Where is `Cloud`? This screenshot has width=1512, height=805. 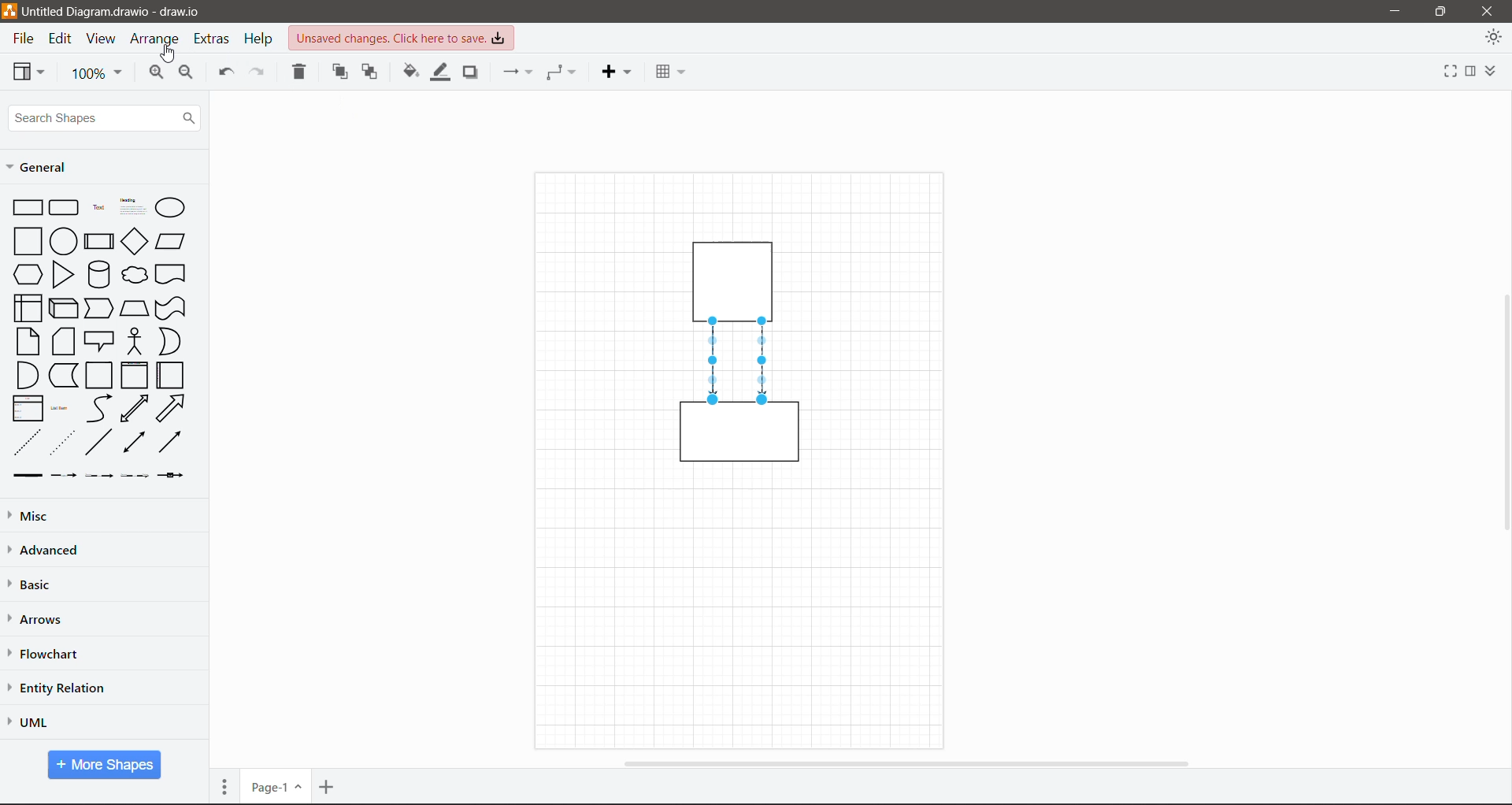 Cloud is located at coordinates (135, 275).